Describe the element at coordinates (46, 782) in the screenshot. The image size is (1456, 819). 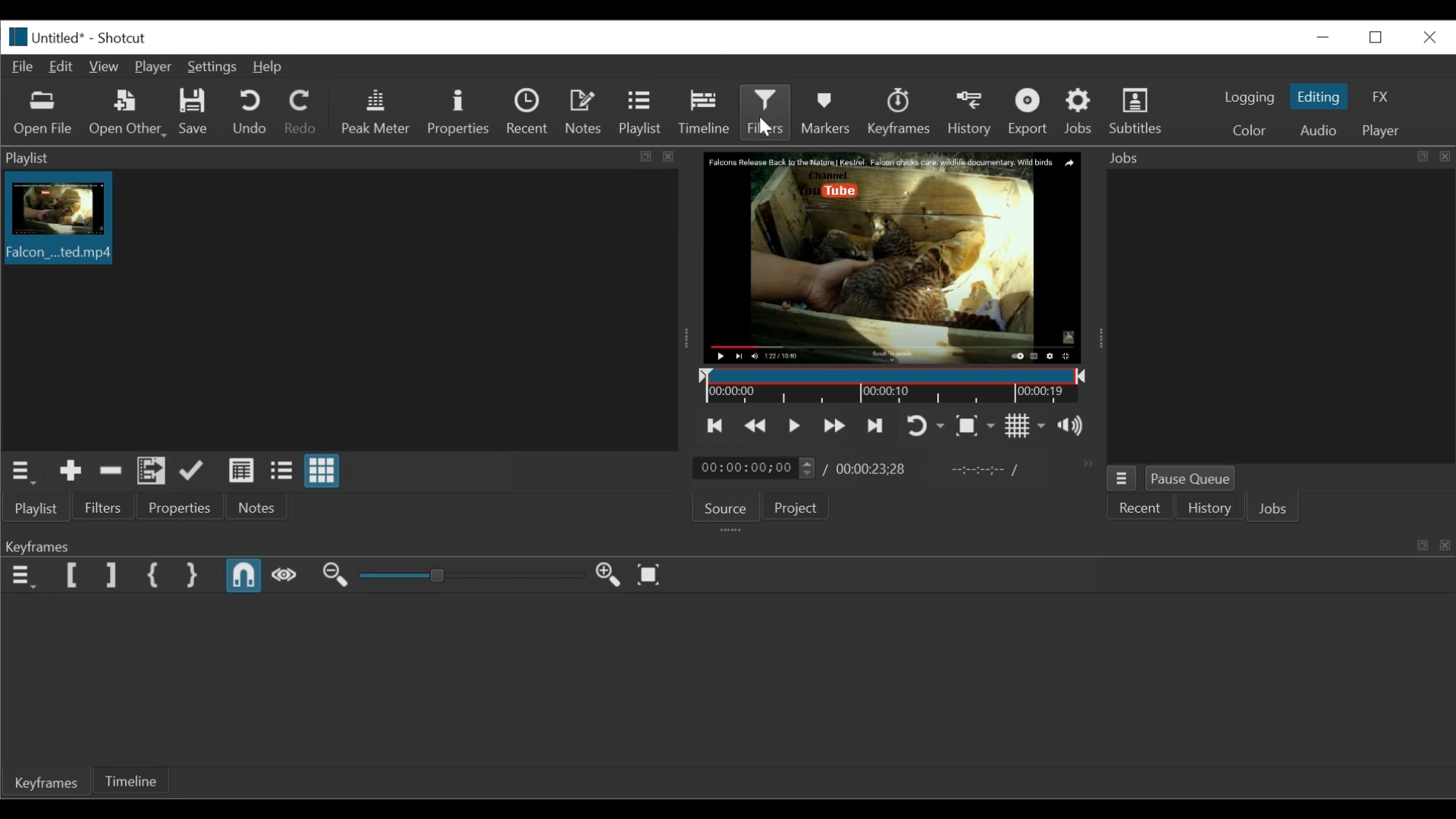
I see `Keyframe` at that location.